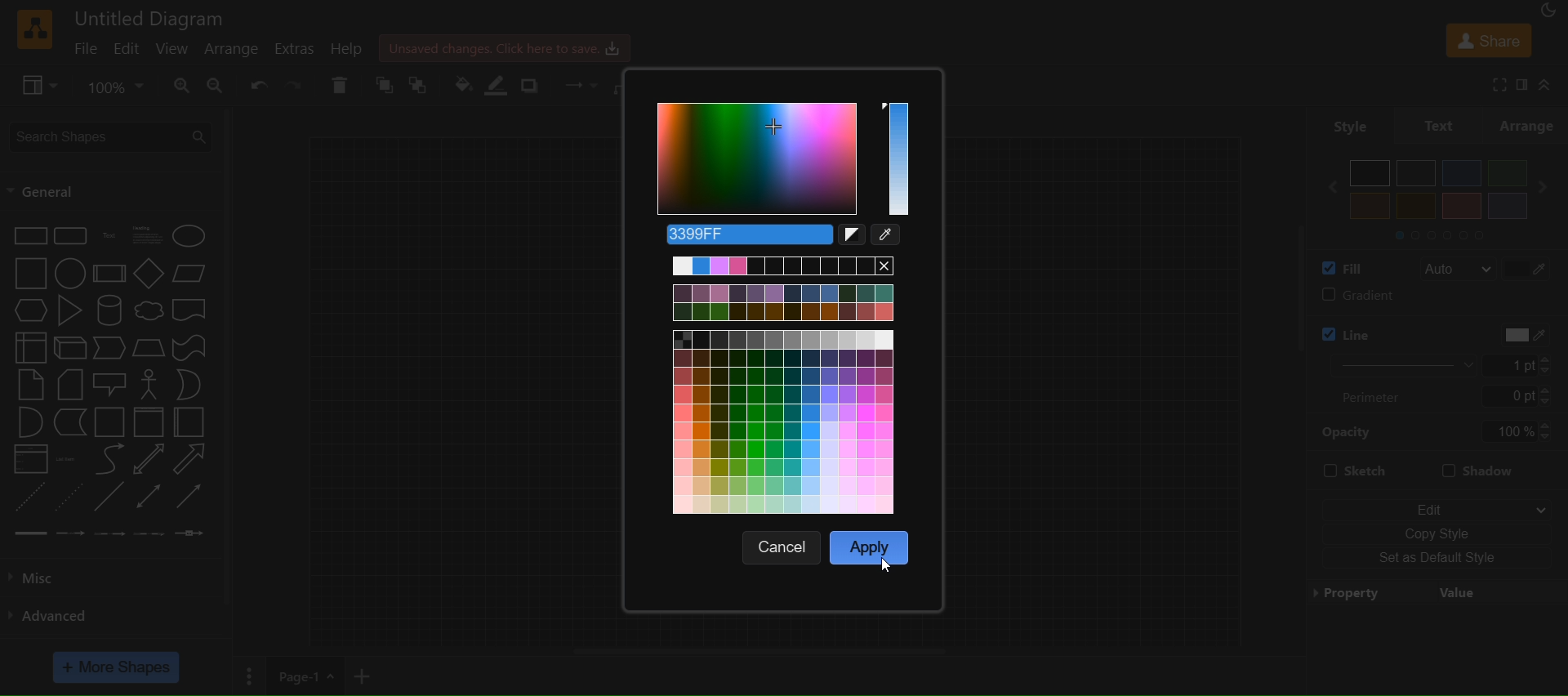 The image size is (1568, 696). I want to click on set as default style, so click(1439, 559).